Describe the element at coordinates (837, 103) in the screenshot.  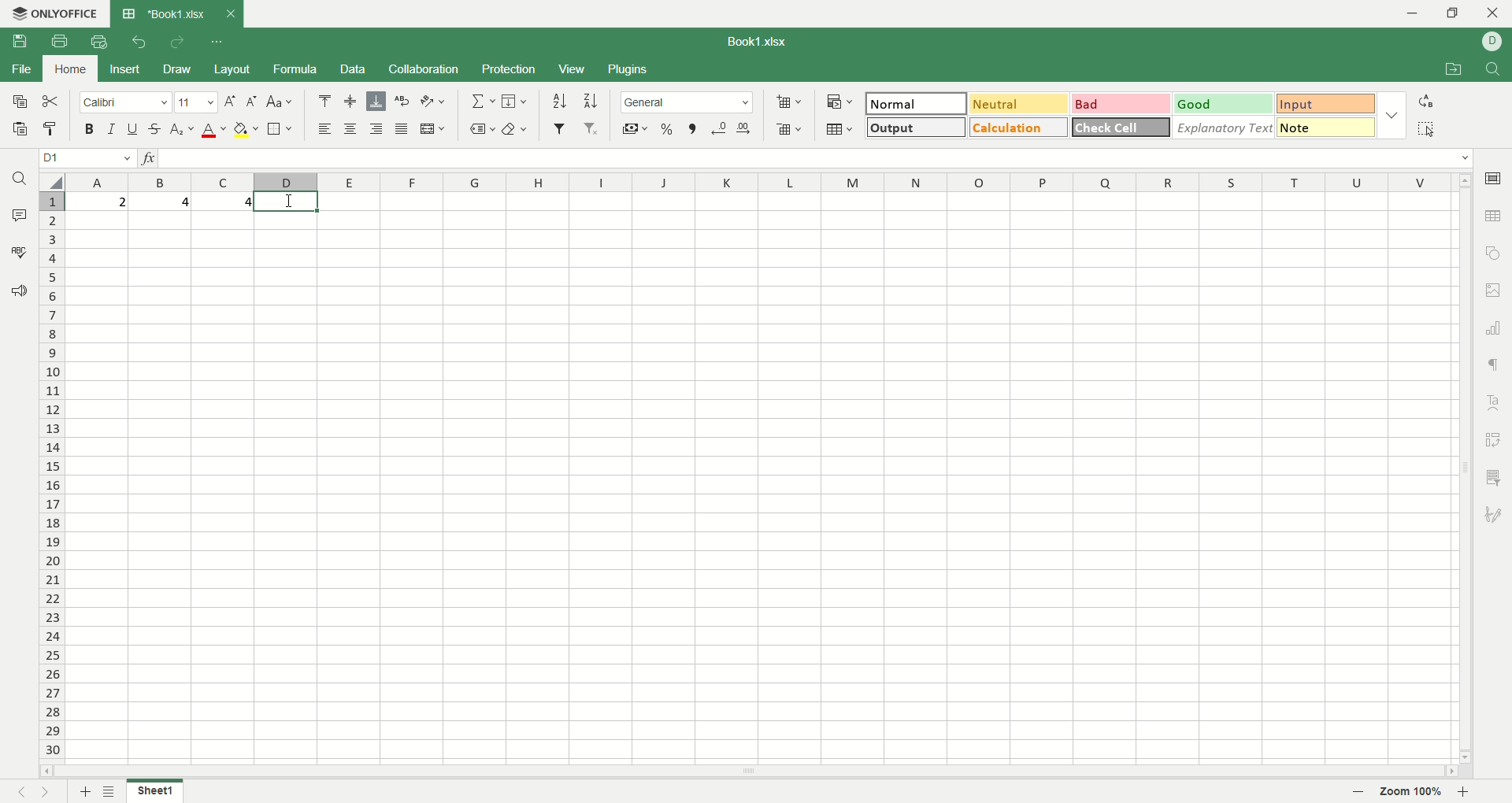
I see `conditional formatting` at that location.